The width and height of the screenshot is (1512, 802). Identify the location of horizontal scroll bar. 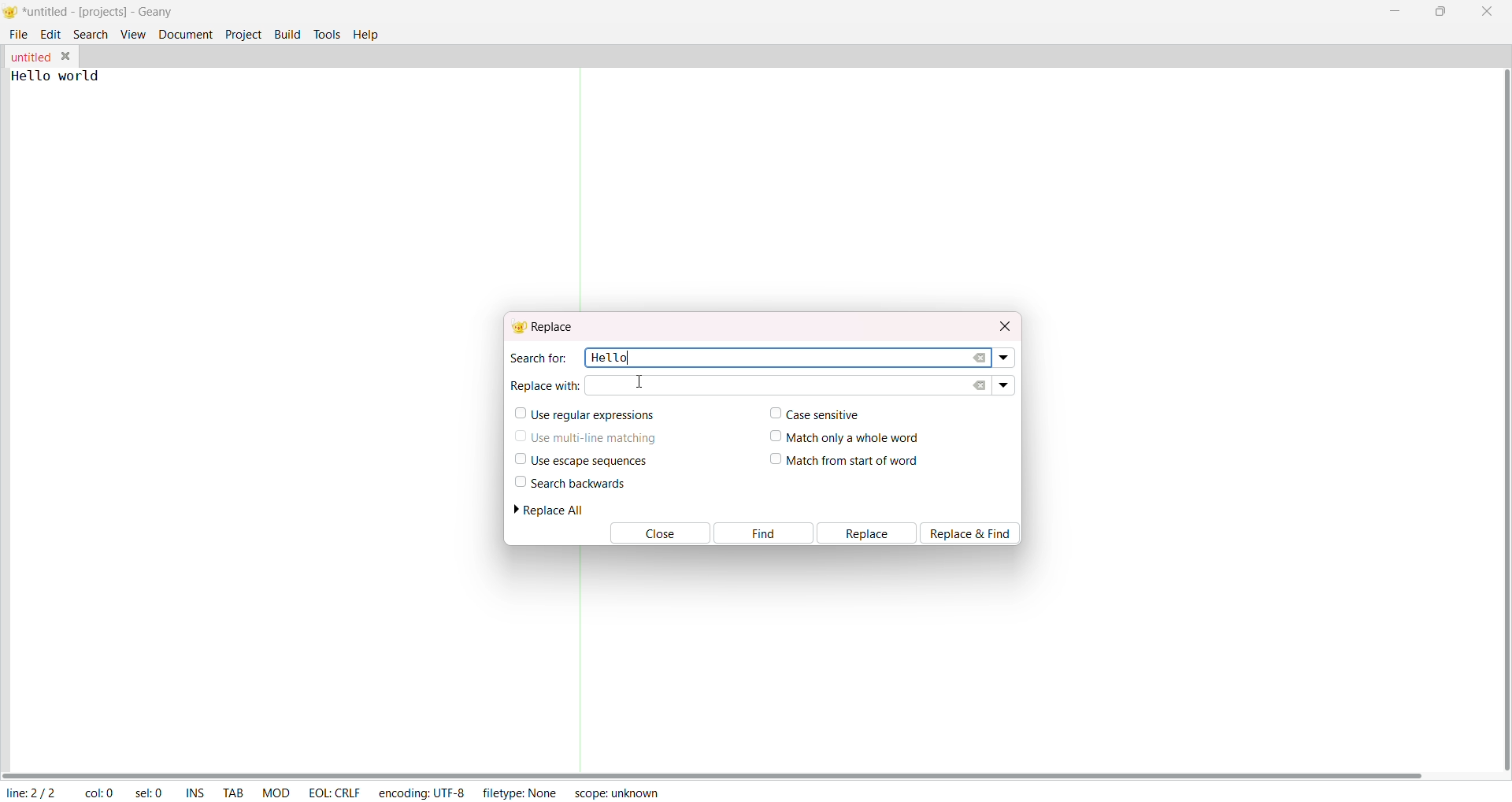
(715, 774).